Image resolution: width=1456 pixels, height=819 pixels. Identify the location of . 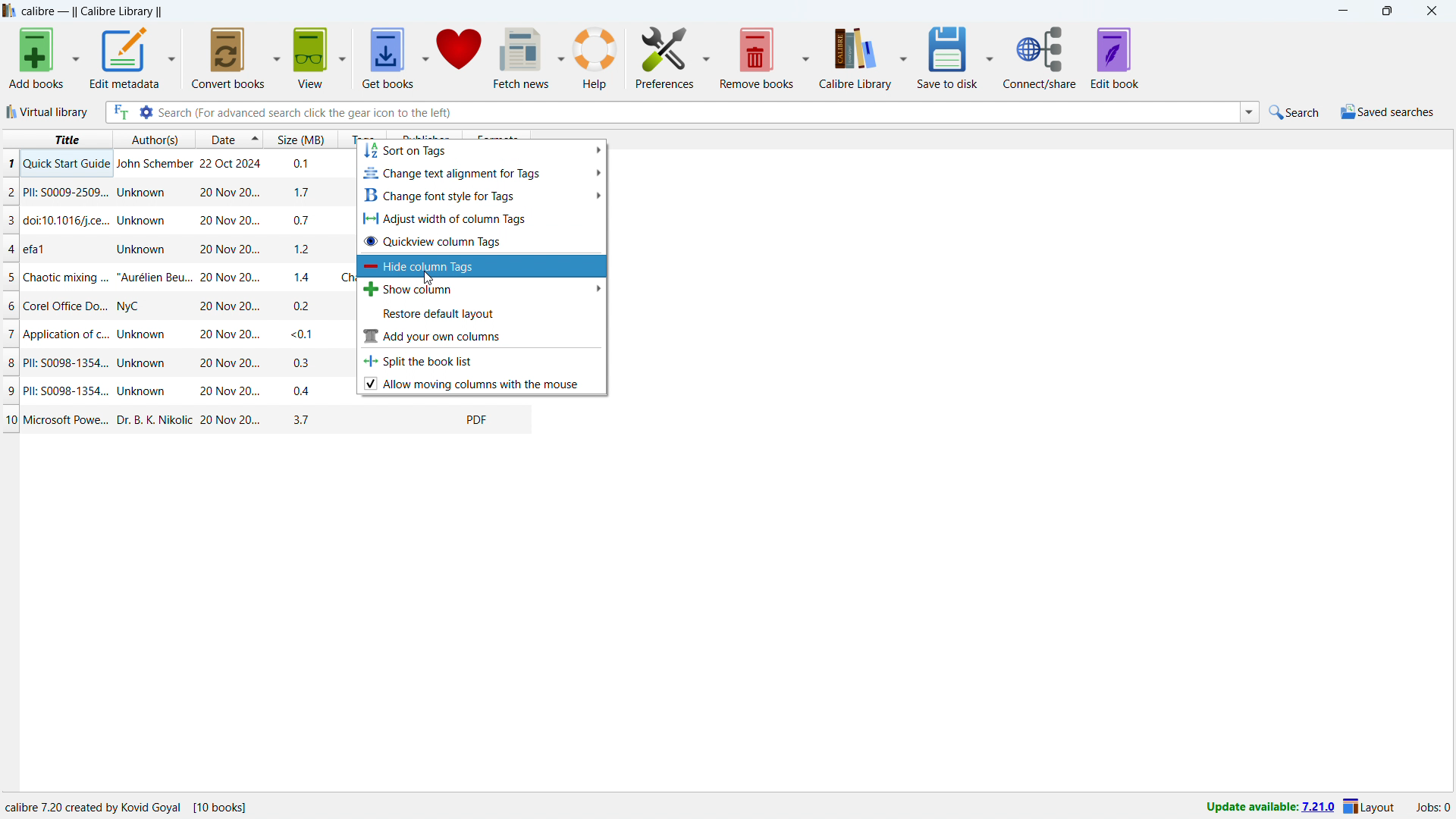
(521, 58).